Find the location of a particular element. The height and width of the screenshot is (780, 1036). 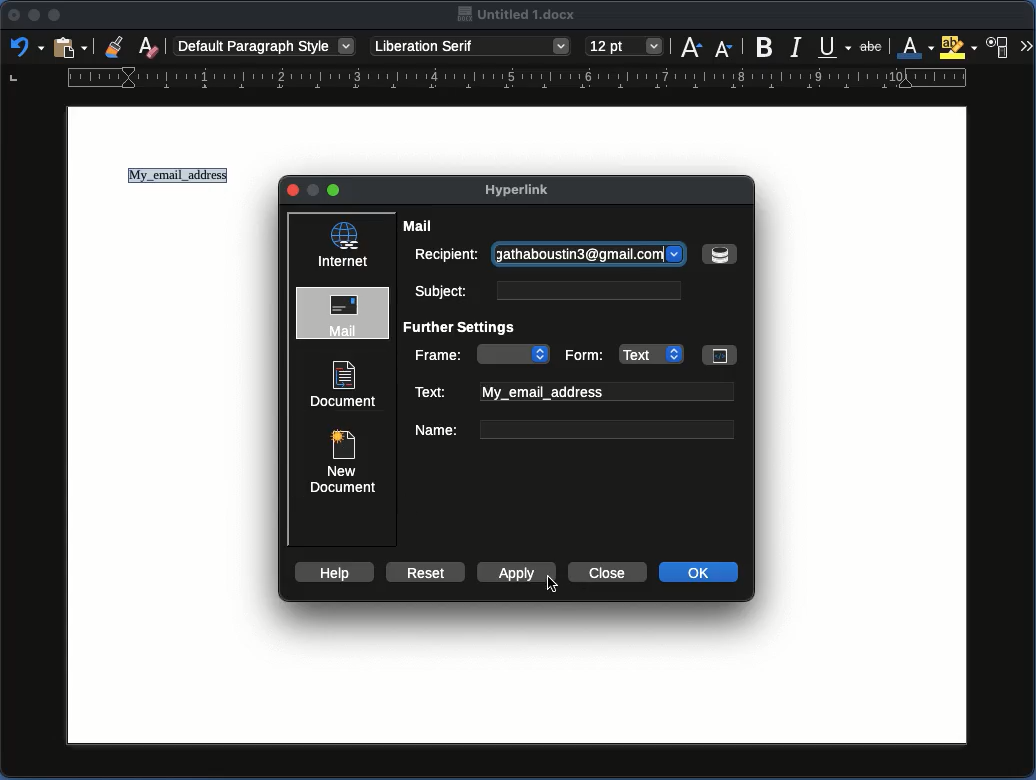

Ruler is located at coordinates (489, 81).